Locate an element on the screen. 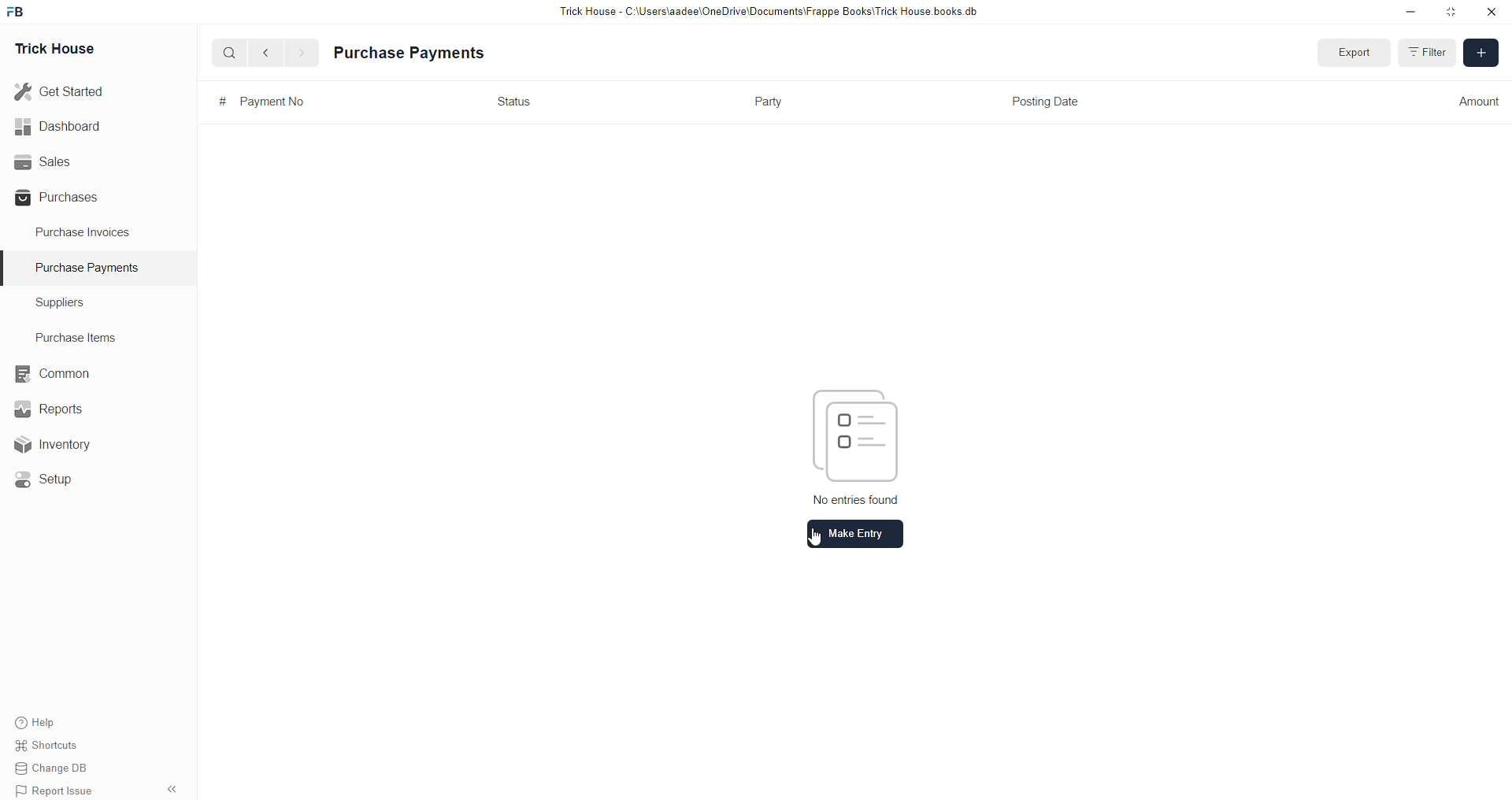 The height and width of the screenshot is (800, 1512). Suppliers is located at coordinates (54, 302).